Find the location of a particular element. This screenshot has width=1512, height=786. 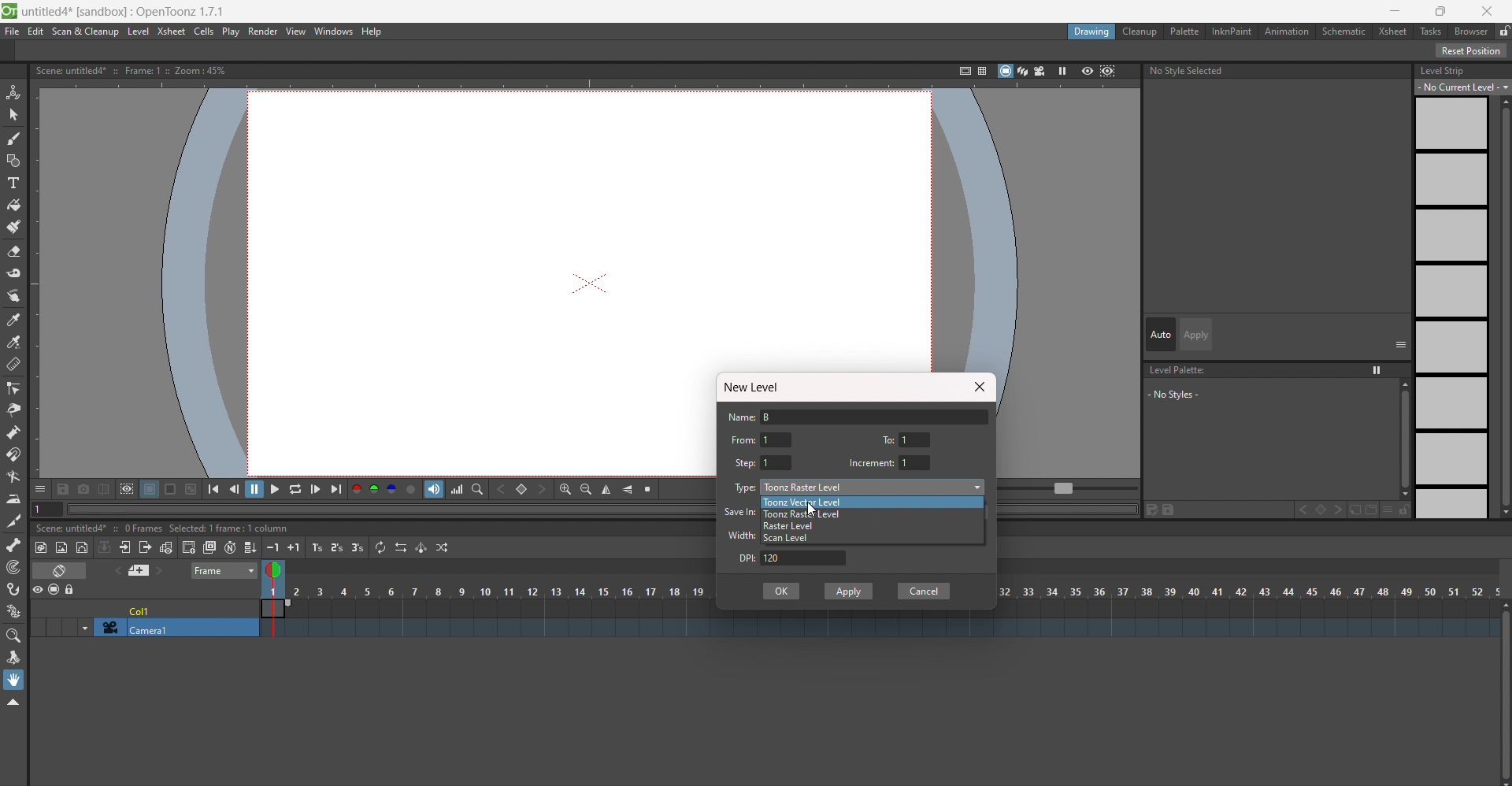

brush tool is located at coordinates (13, 139).